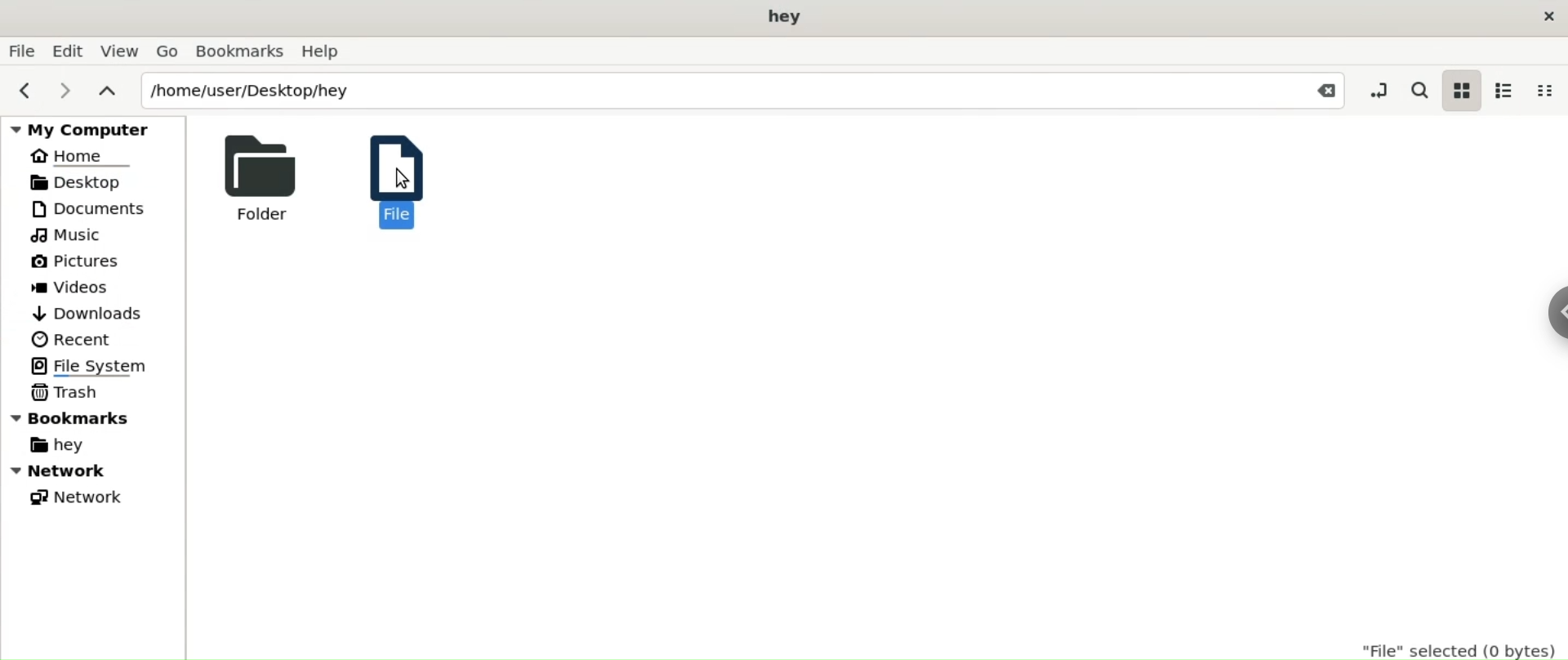  What do you see at coordinates (1546, 91) in the screenshot?
I see `compact view` at bounding box center [1546, 91].